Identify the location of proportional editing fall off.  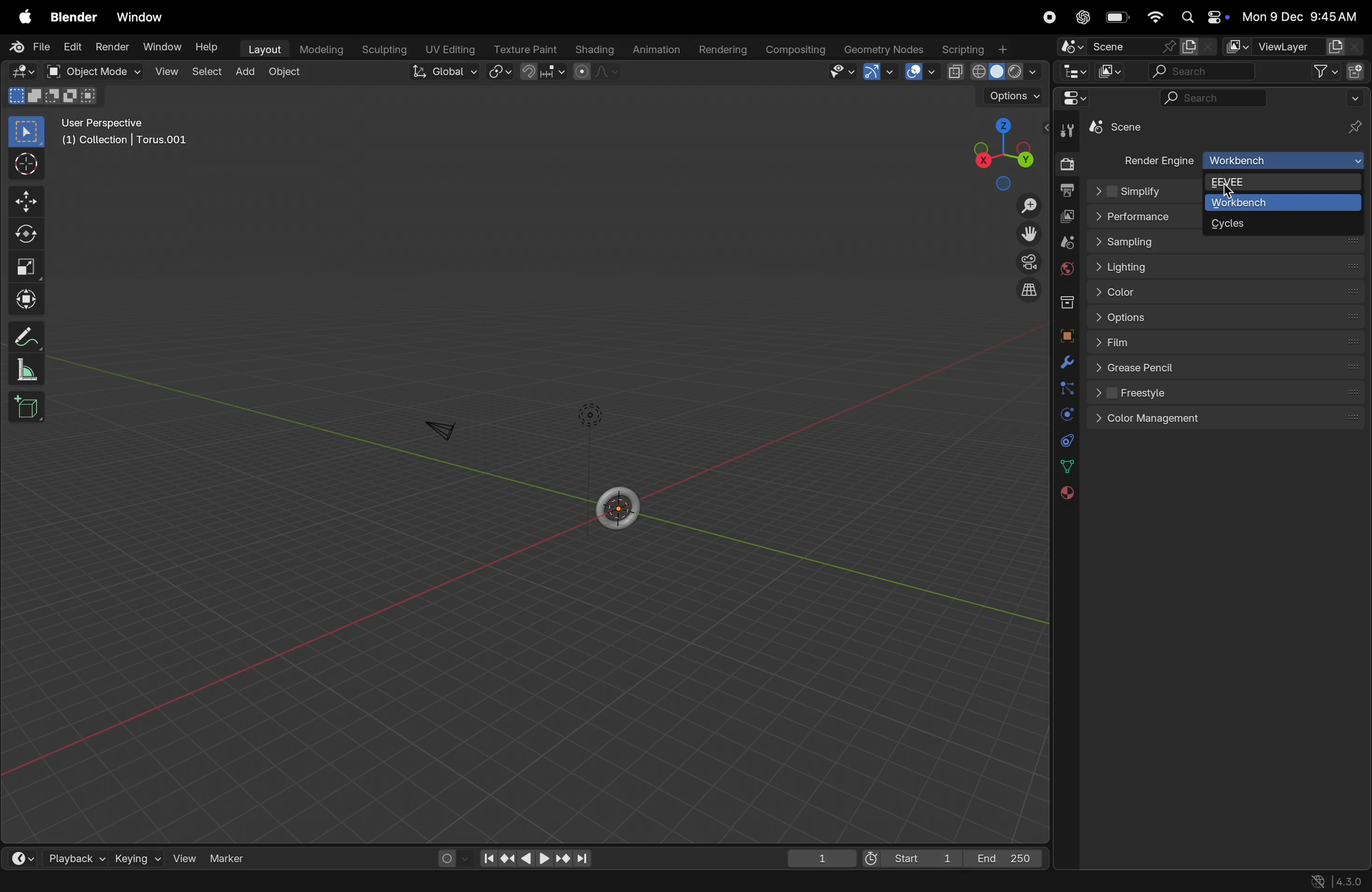
(594, 73).